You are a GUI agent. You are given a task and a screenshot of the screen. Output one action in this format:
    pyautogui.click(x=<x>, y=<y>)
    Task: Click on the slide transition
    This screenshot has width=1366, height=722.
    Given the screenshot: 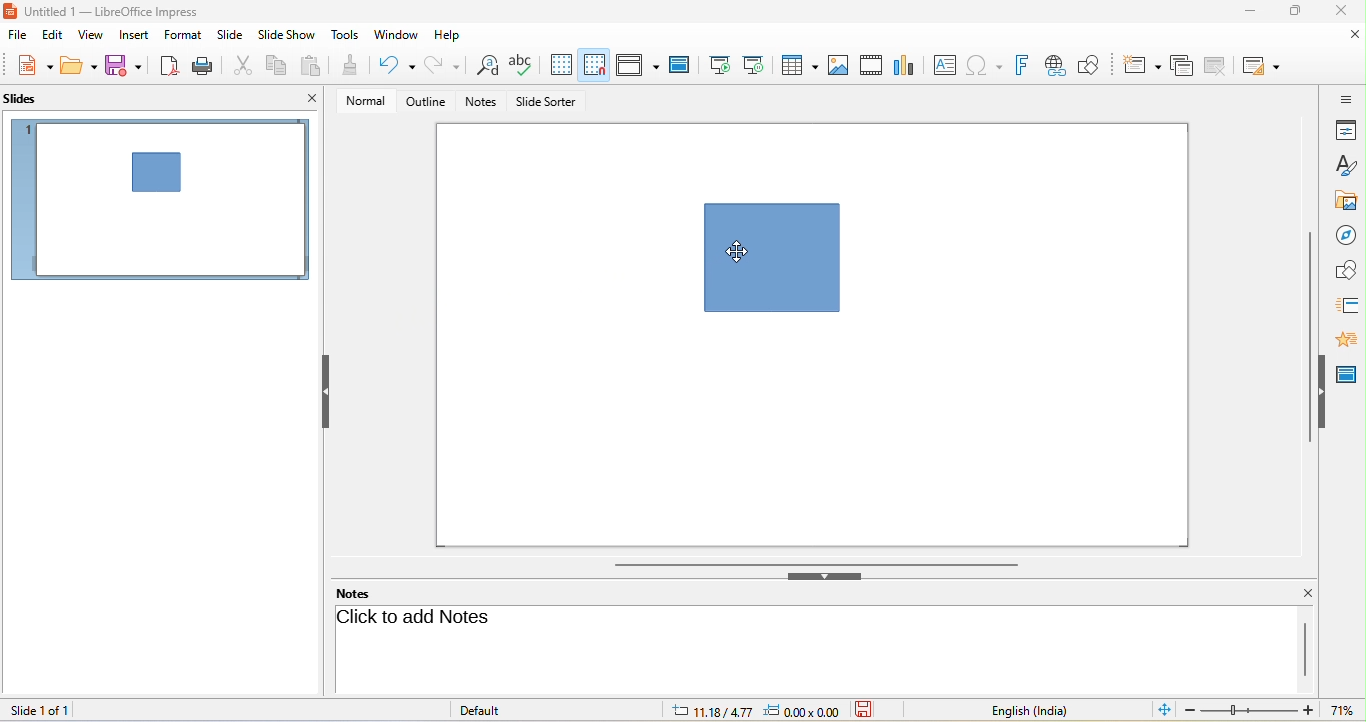 What is the action you would take?
    pyautogui.click(x=1347, y=303)
    